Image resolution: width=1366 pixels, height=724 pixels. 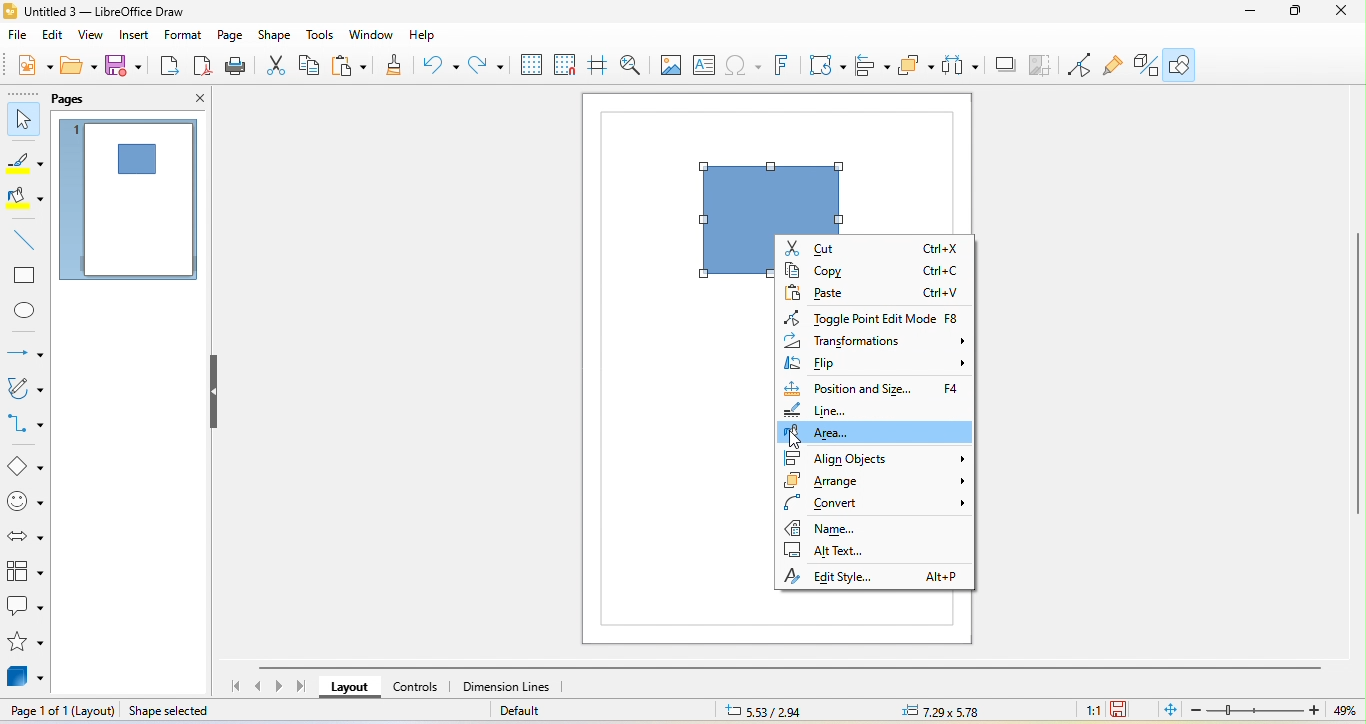 I want to click on fill color, so click(x=26, y=200).